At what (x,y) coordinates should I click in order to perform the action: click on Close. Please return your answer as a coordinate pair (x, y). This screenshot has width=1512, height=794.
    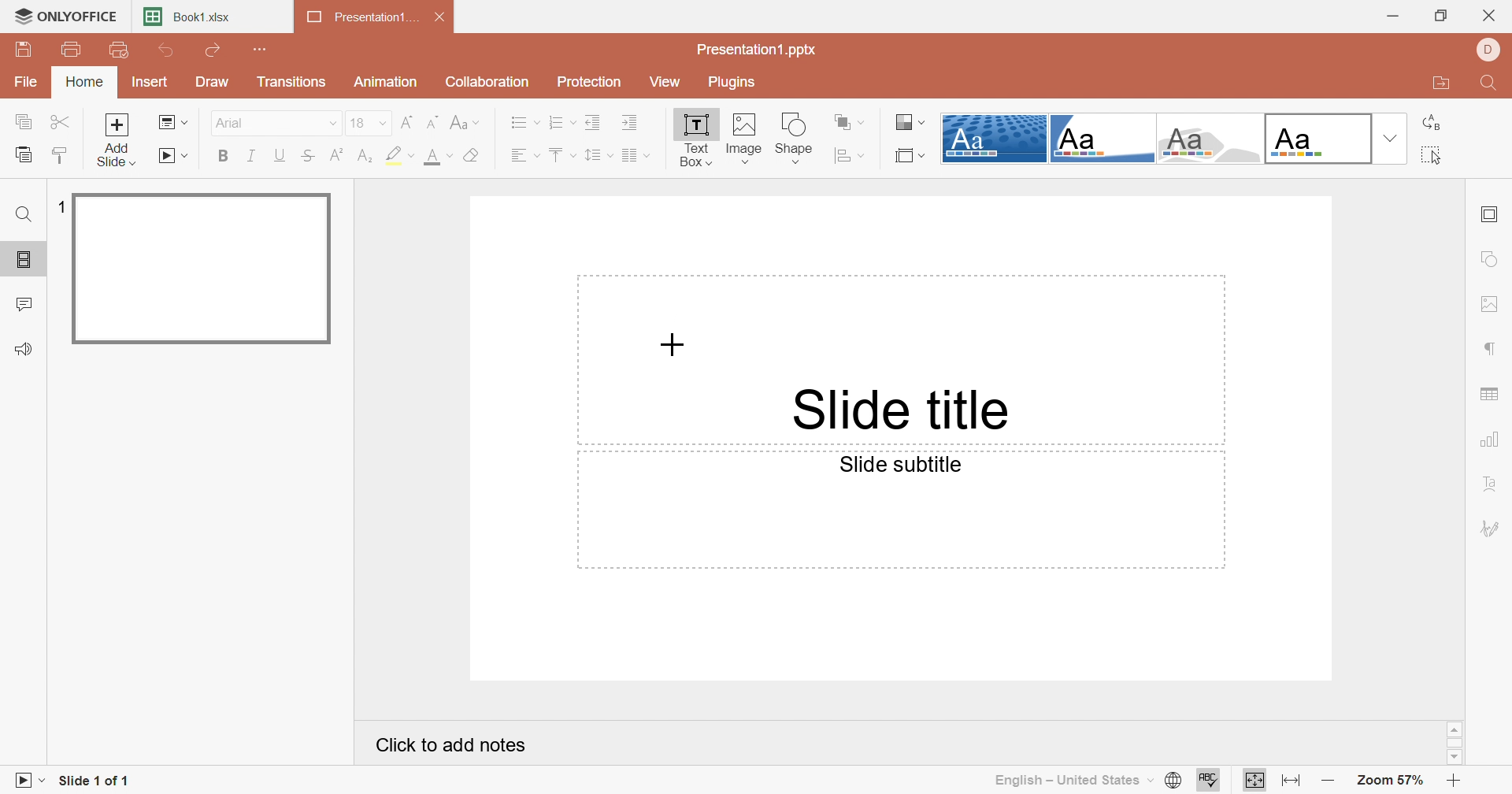
    Looking at the image, I should click on (439, 15).